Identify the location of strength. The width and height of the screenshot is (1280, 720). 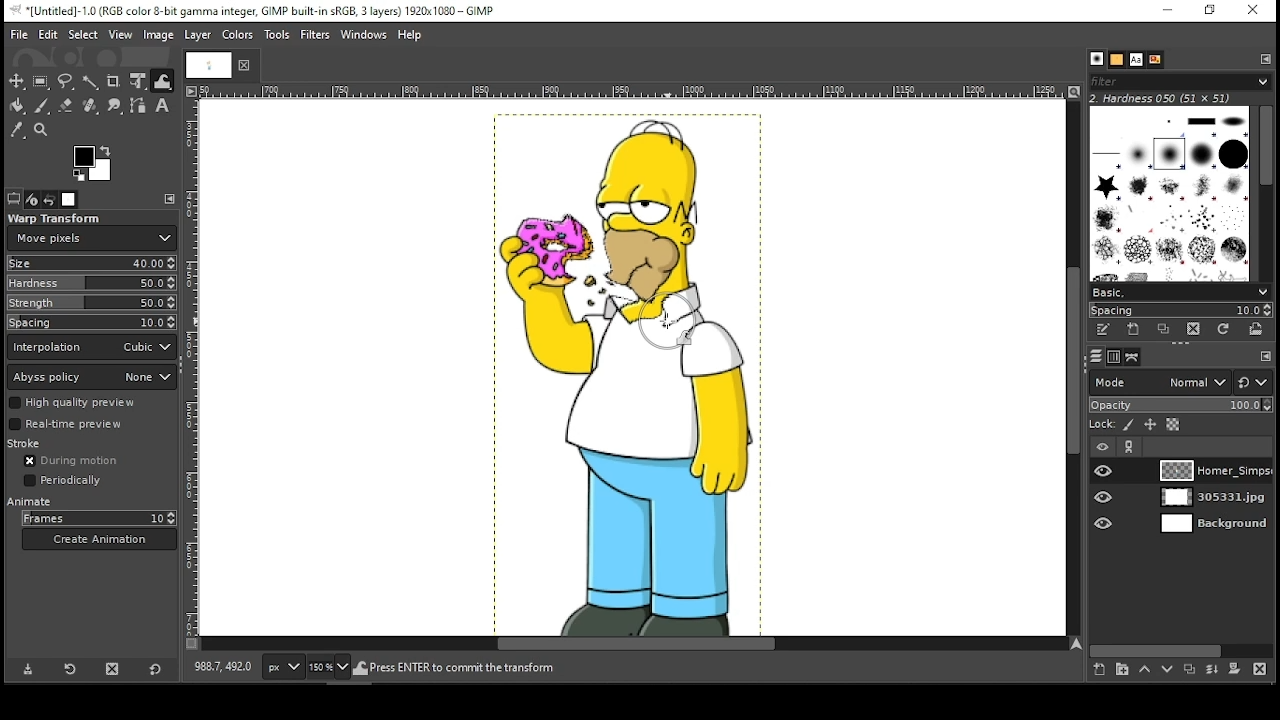
(92, 303).